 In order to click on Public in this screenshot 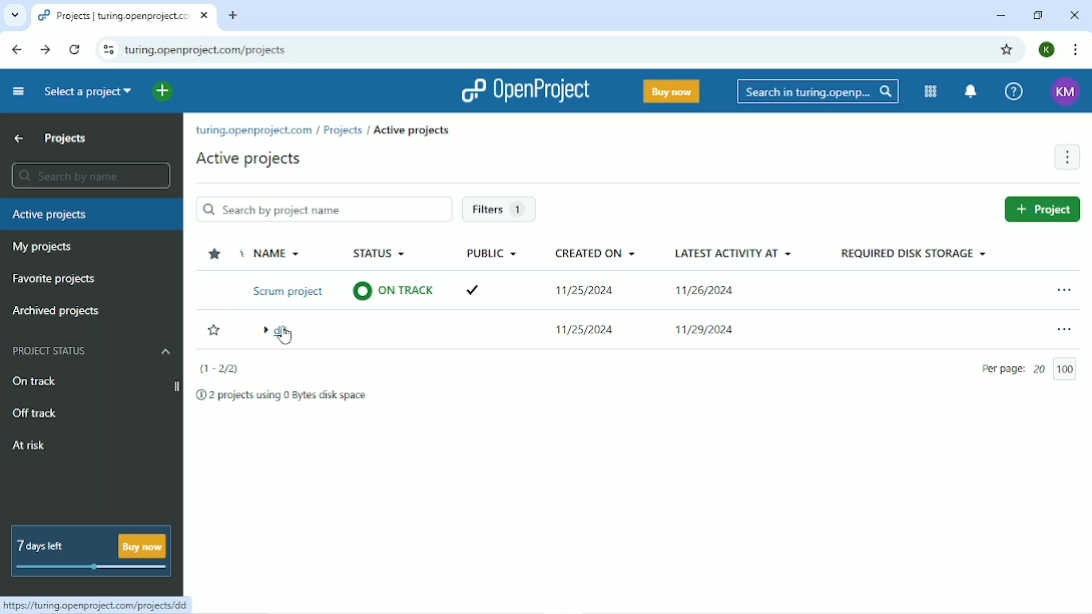, I will do `click(493, 254)`.